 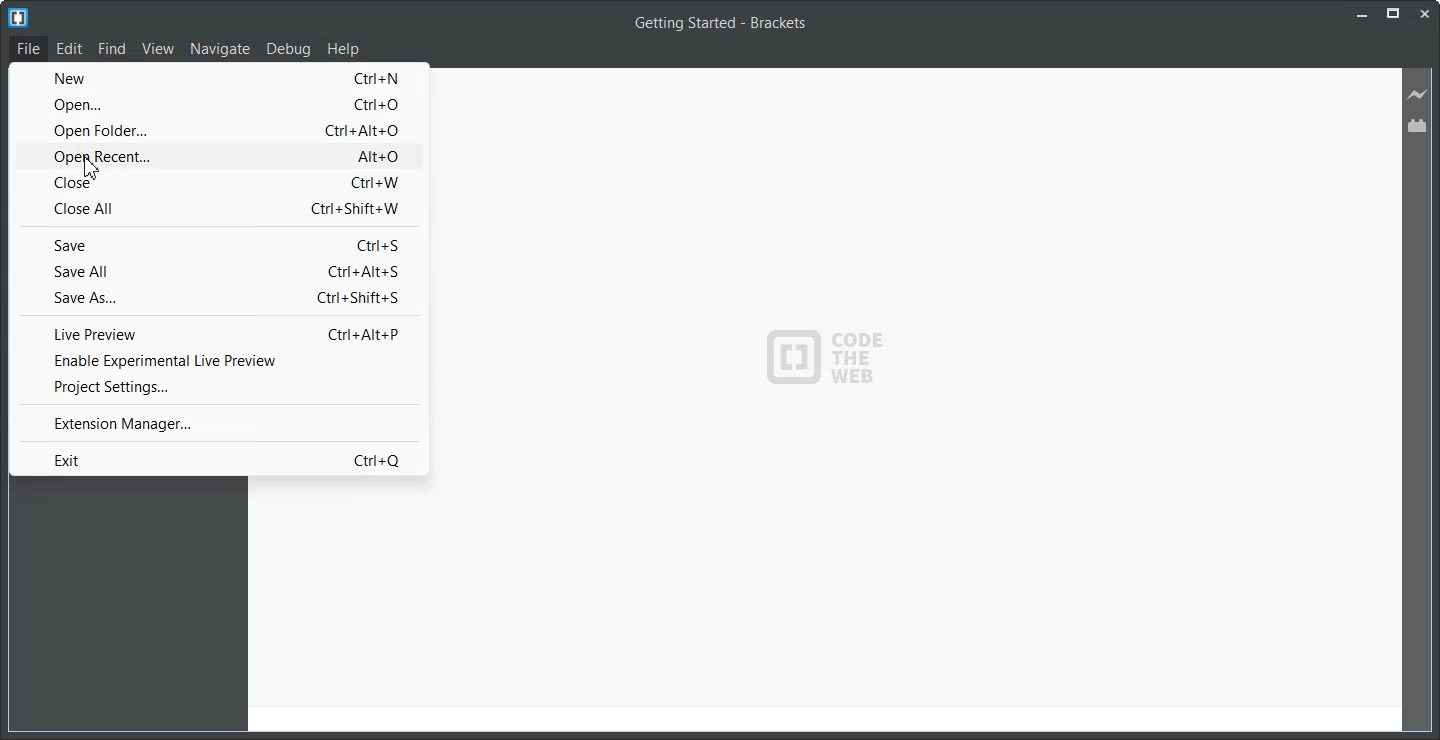 What do you see at coordinates (828, 363) in the screenshot?
I see `logo` at bounding box center [828, 363].